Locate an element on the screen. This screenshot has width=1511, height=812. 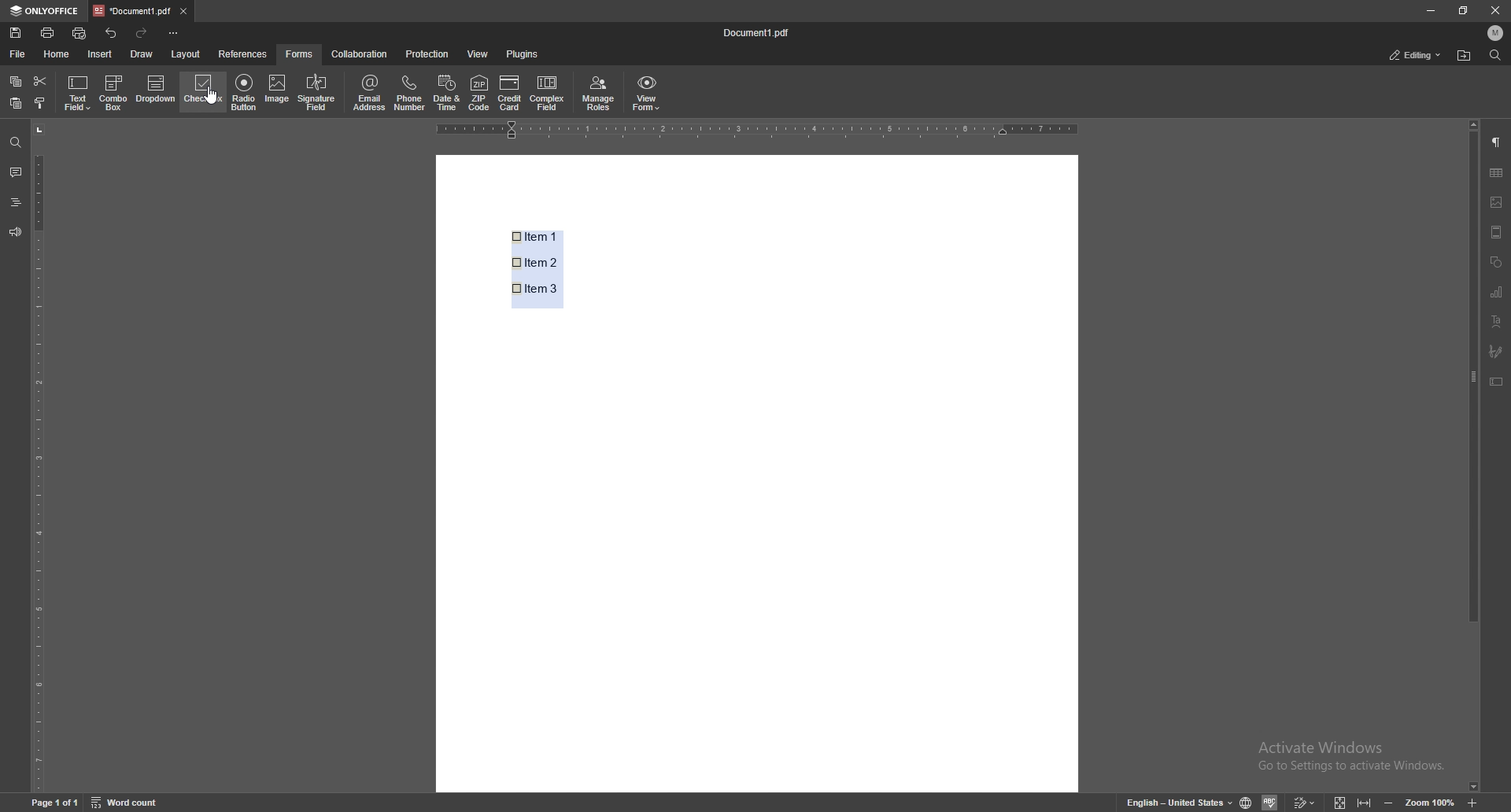
text field is located at coordinates (77, 94).